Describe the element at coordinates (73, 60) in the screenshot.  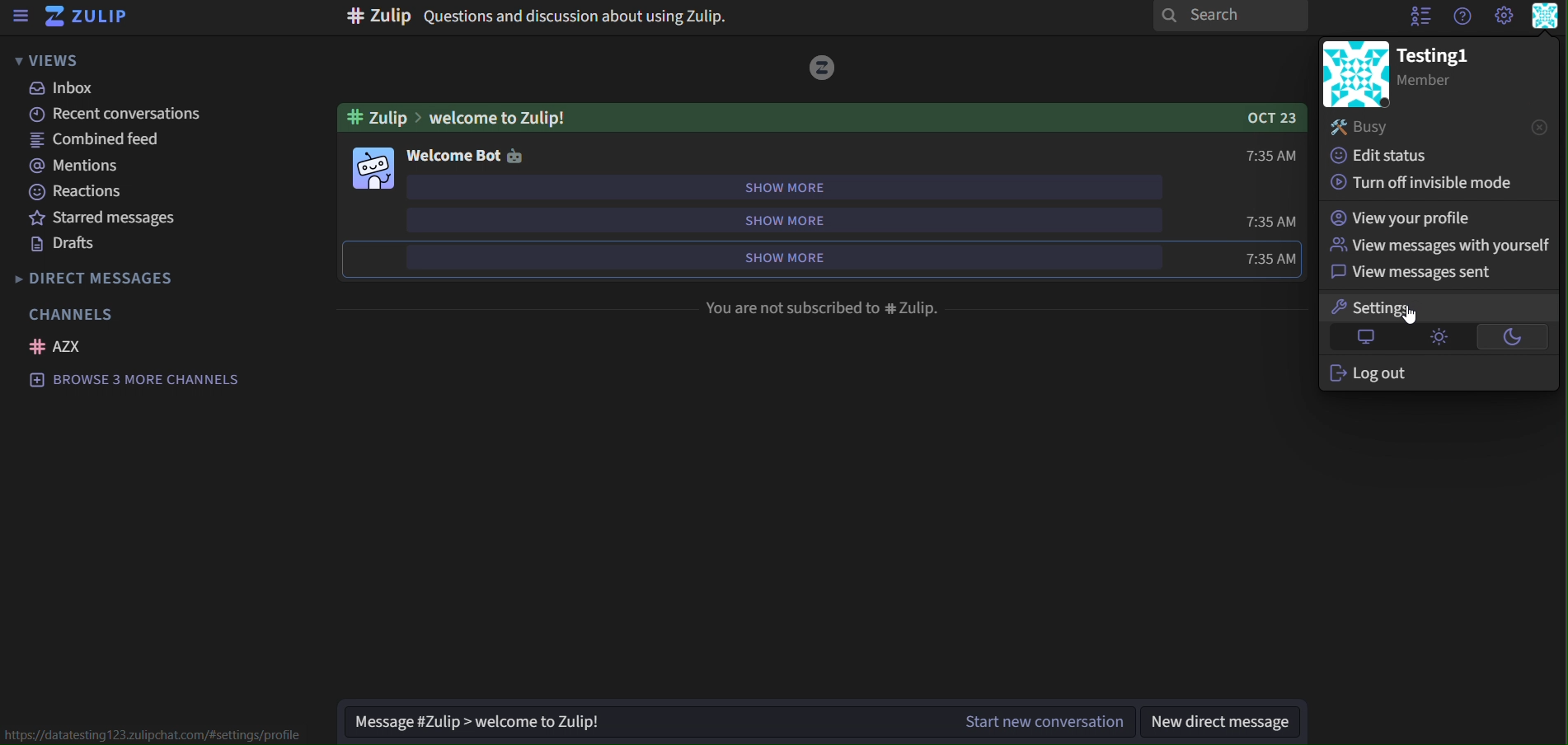
I see `views` at that location.